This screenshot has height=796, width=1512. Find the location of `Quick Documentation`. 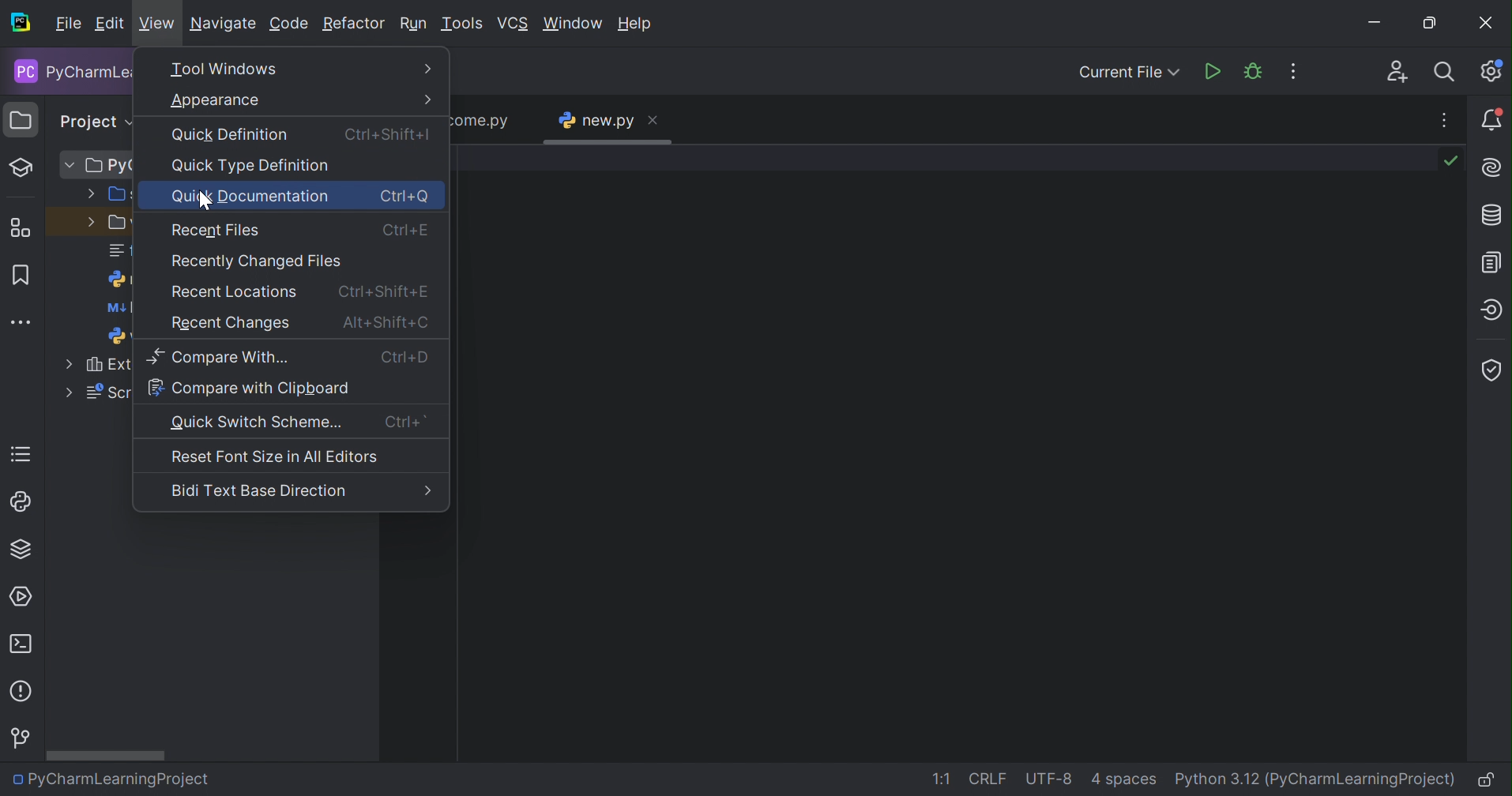

Quick Documentation is located at coordinates (250, 197).